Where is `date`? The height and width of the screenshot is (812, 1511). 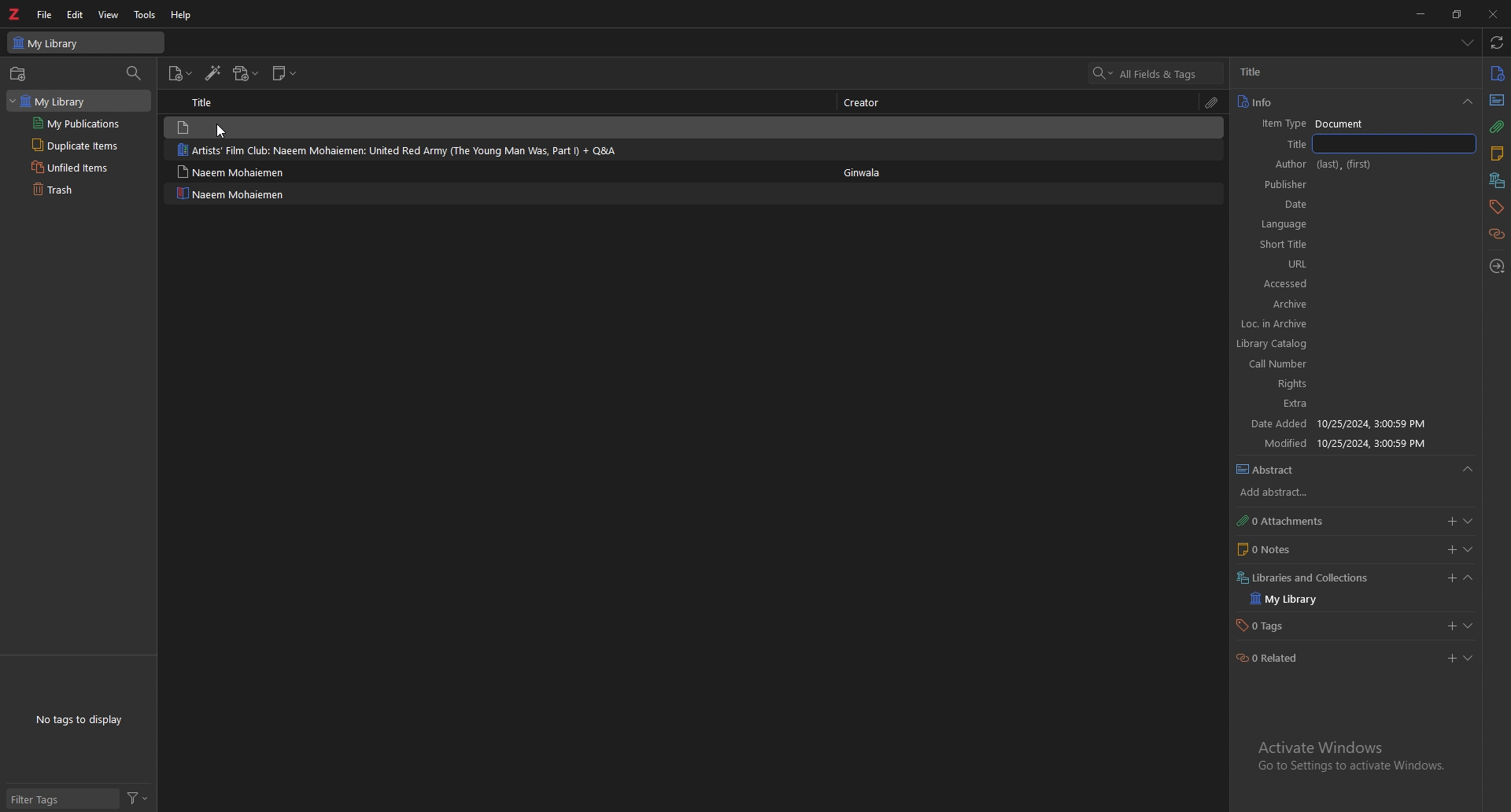 date is located at coordinates (1279, 344).